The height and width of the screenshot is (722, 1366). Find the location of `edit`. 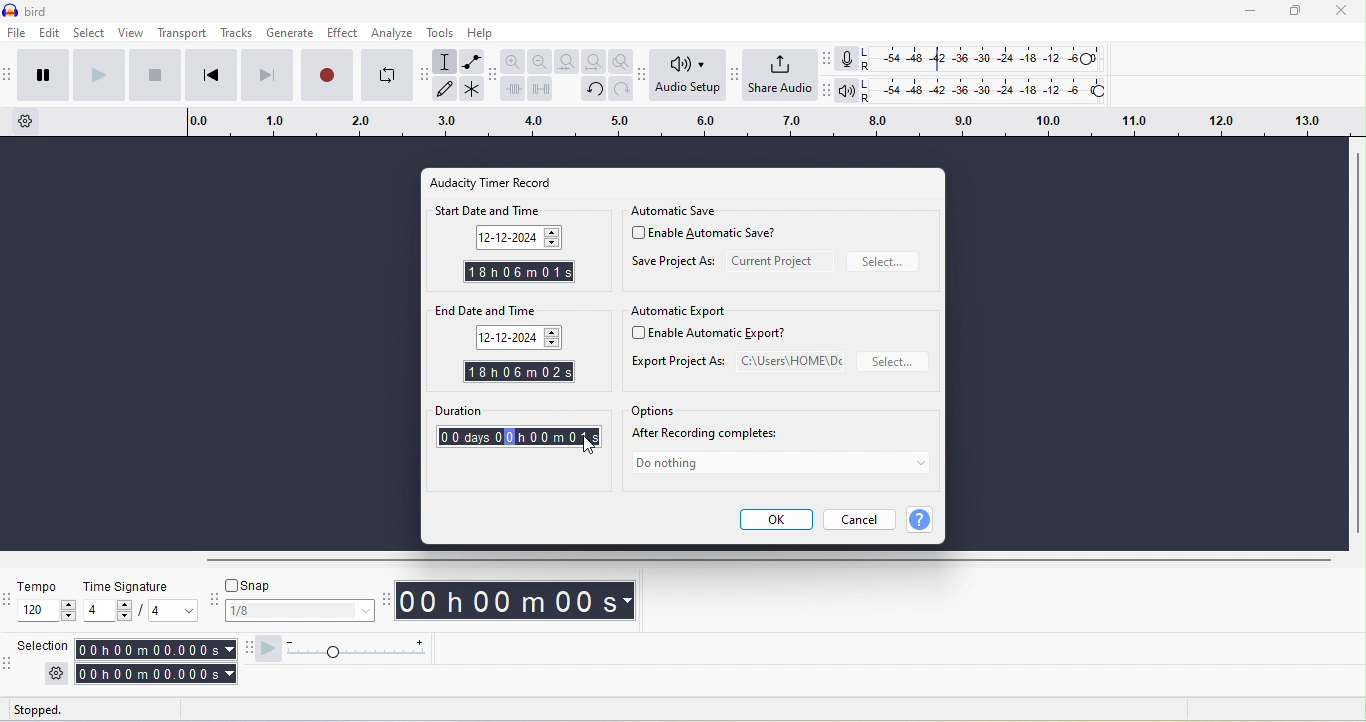

edit is located at coordinates (48, 34).